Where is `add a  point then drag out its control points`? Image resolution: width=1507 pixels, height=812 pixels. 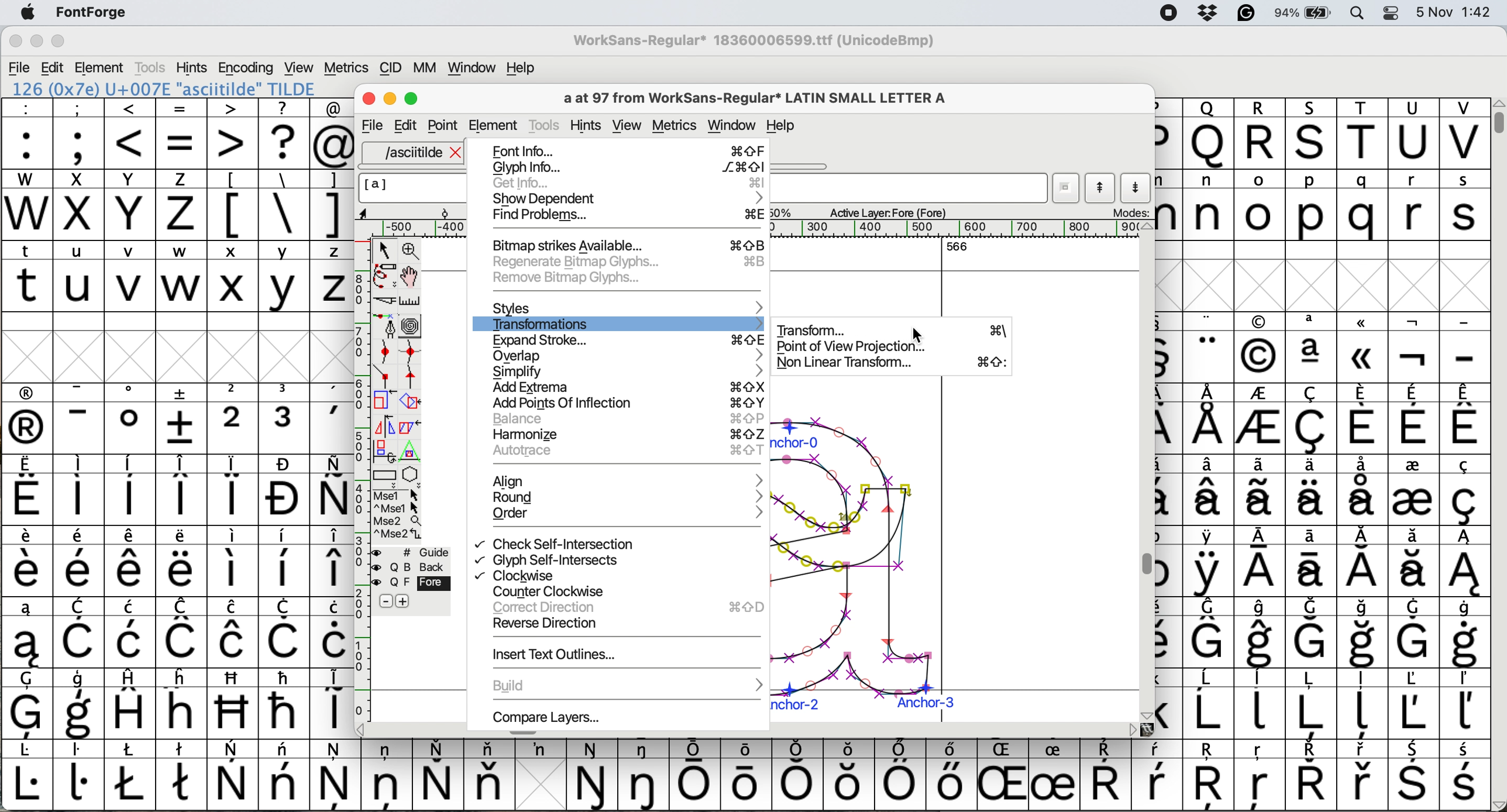
add a  point then drag out its control points is located at coordinates (386, 325).